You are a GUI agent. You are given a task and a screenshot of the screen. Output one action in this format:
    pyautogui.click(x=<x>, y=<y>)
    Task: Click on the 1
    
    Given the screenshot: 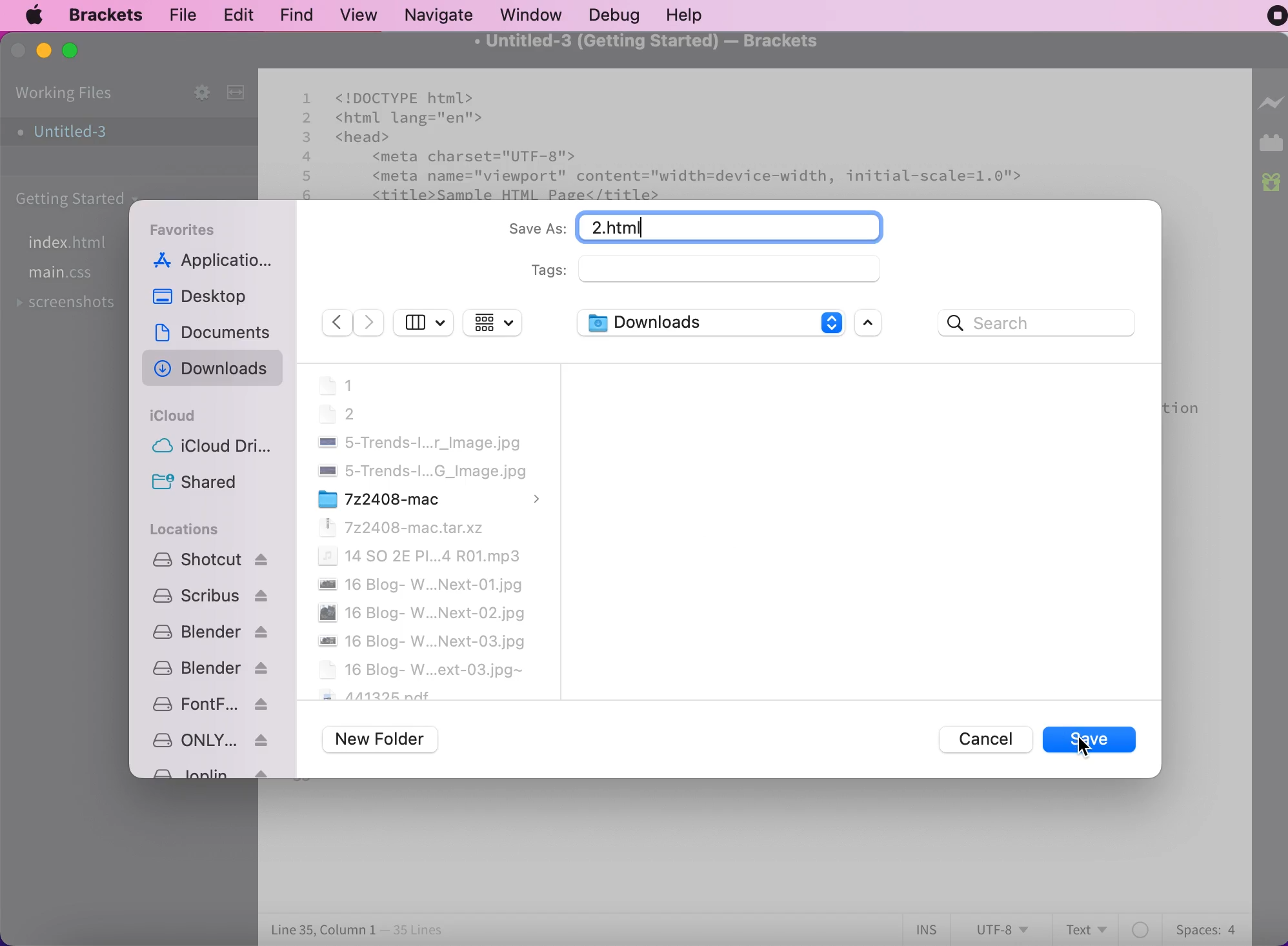 What is the action you would take?
    pyautogui.click(x=337, y=385)
    